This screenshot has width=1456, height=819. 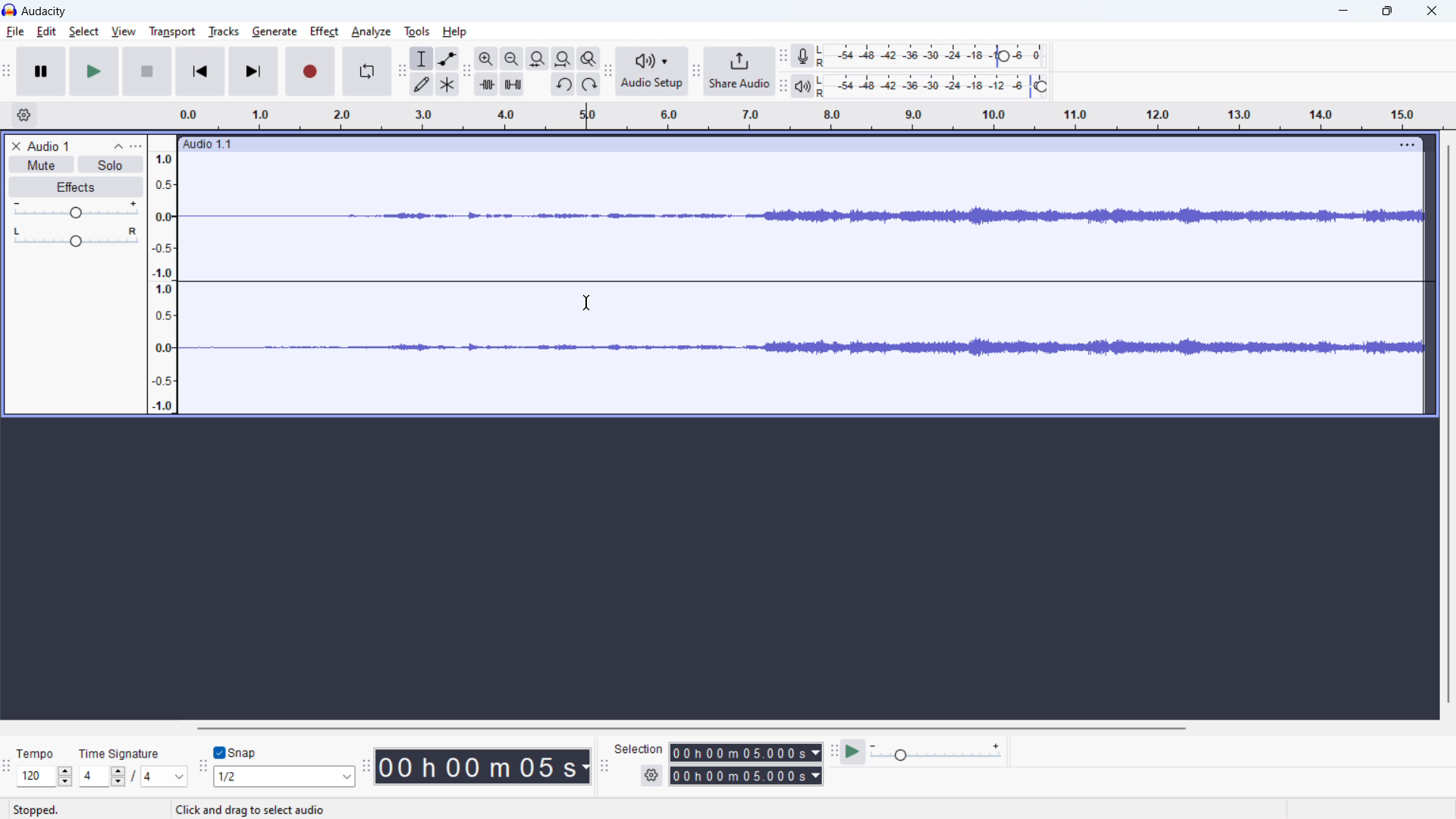 I want to click on record, so click(x=310, y=71).